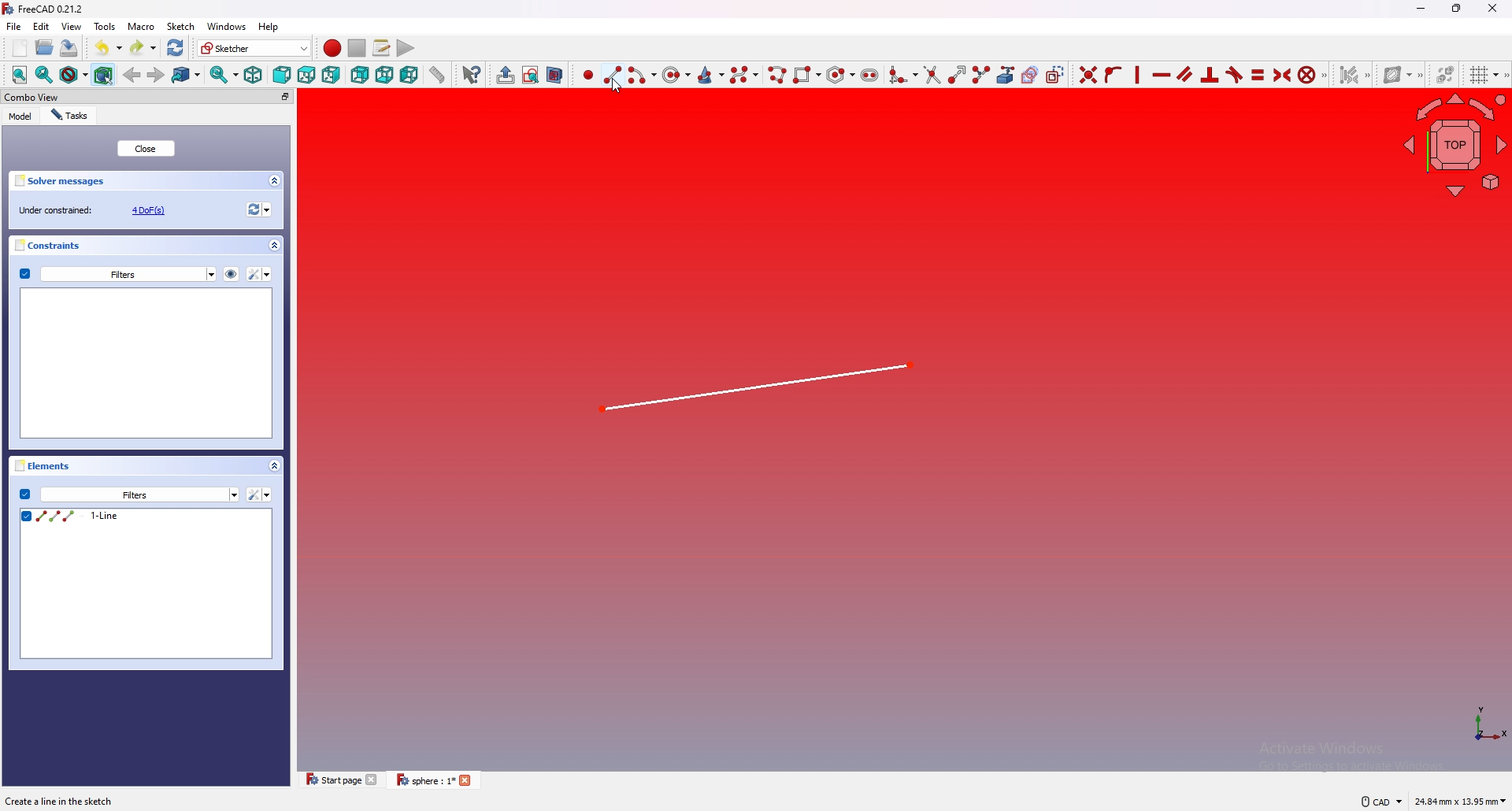 The height and width of the screenshot is (811, 1512). What do you see at coordinates (437, 785) in the screenshot?
I see `sphere: 1*` at bounding box center [437, 785].